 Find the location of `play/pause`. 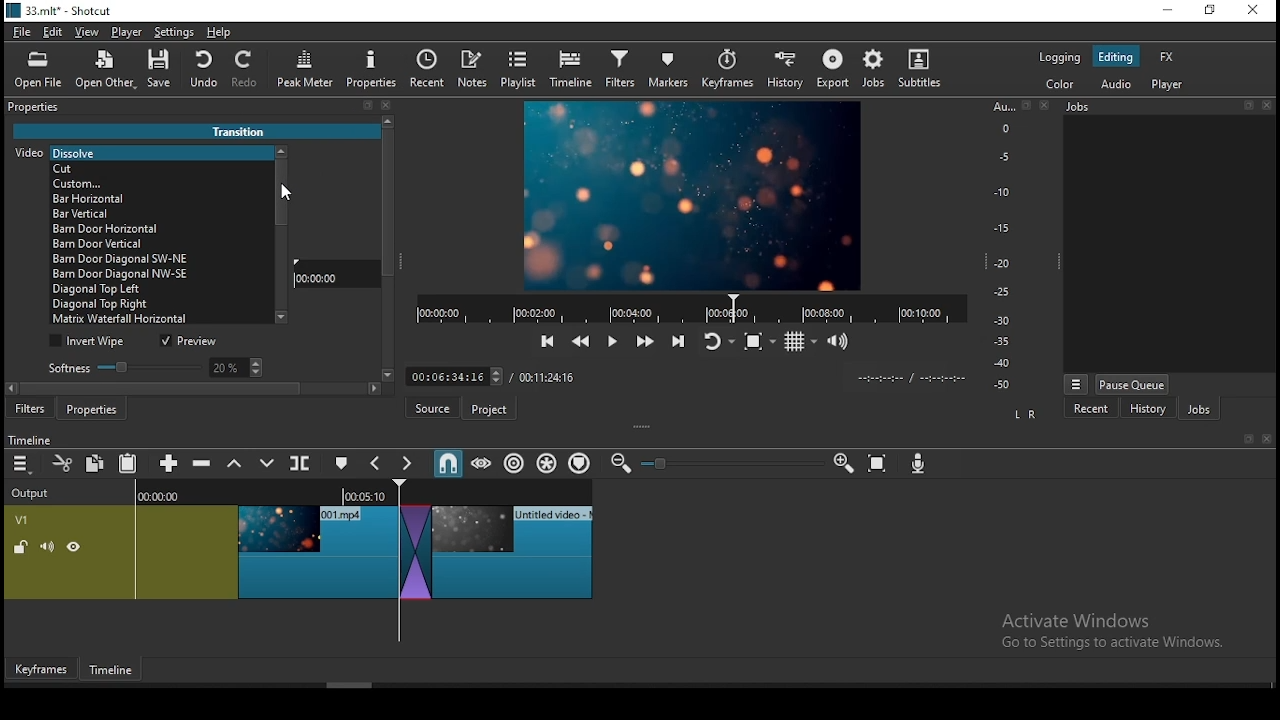

play/pause is located at coordinates (610, 345).